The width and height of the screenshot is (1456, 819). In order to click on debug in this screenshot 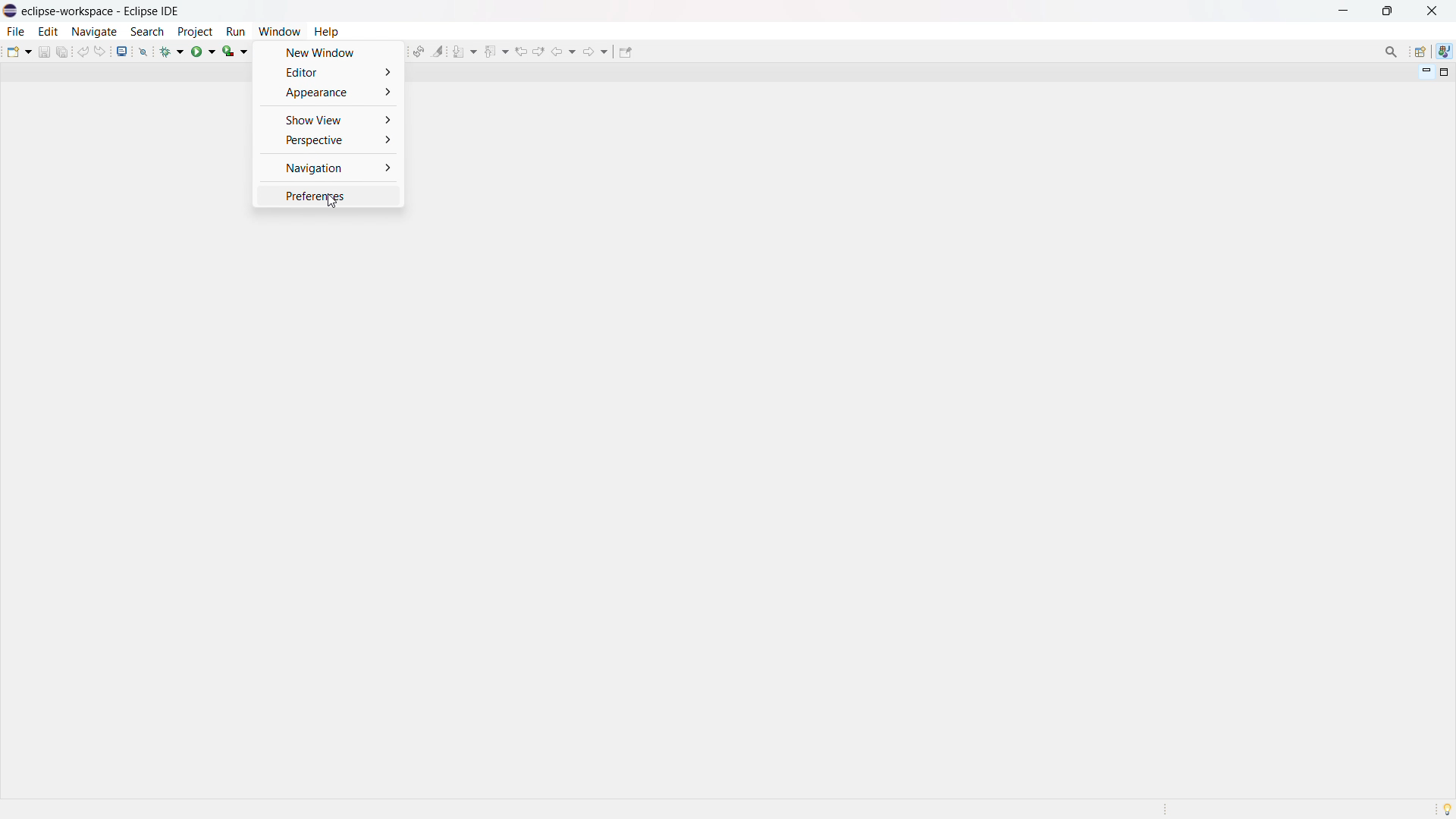, I will do `click(172, 51)`.